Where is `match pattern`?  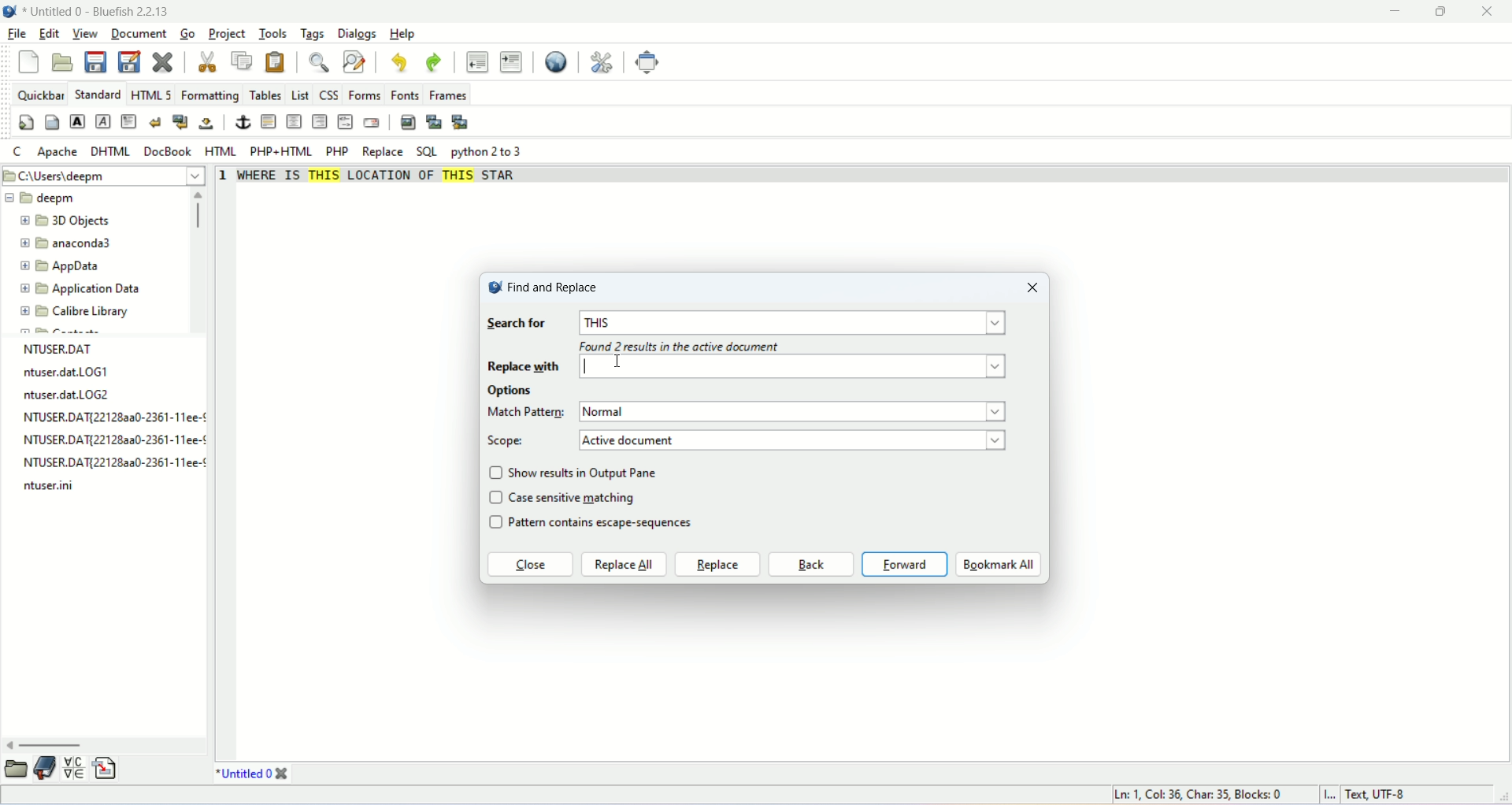
match pattern is located at coordinates (797, 412).